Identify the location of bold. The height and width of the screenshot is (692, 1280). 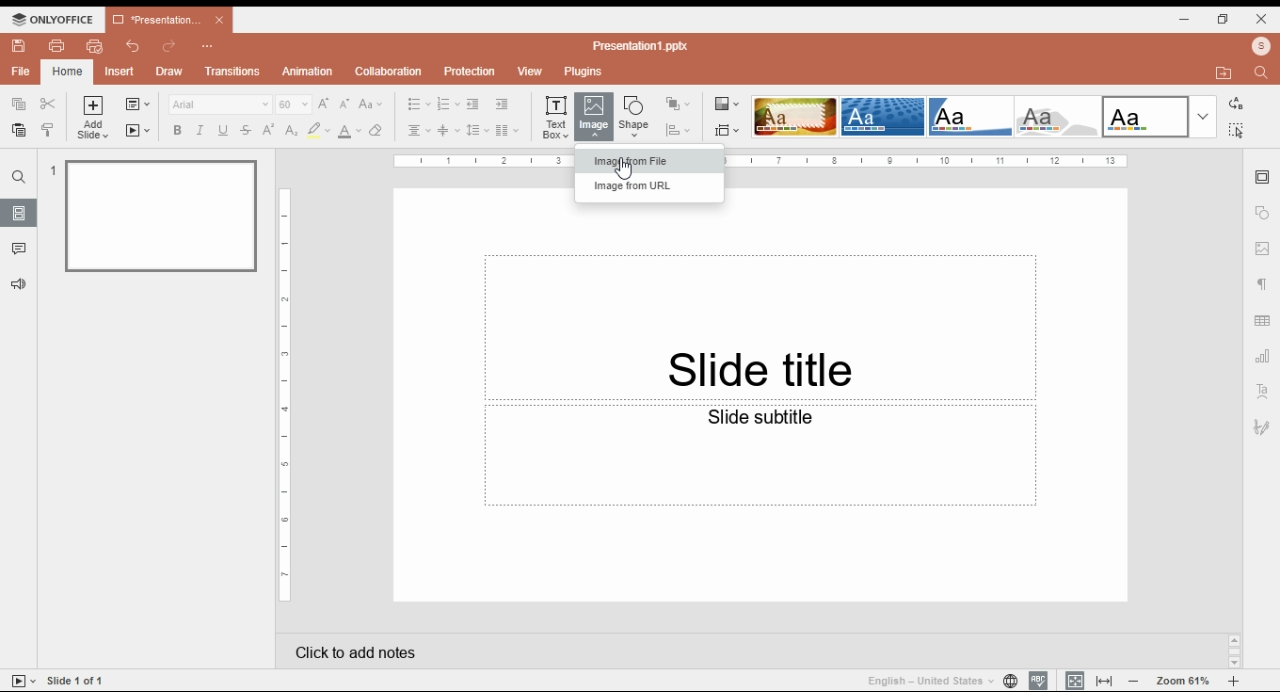
(177, 129).